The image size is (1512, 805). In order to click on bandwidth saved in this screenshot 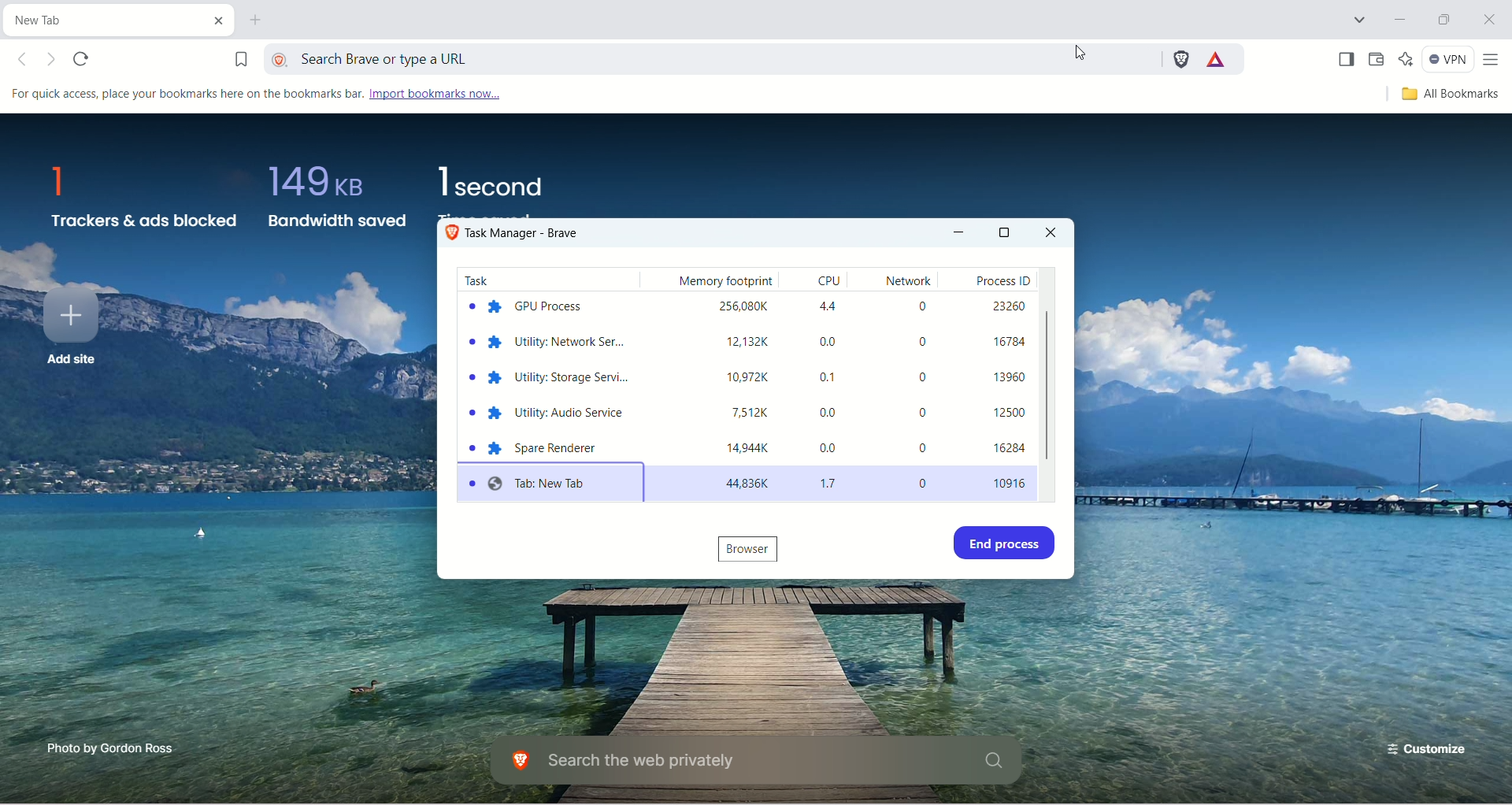, I will do `click(335, 203)`.